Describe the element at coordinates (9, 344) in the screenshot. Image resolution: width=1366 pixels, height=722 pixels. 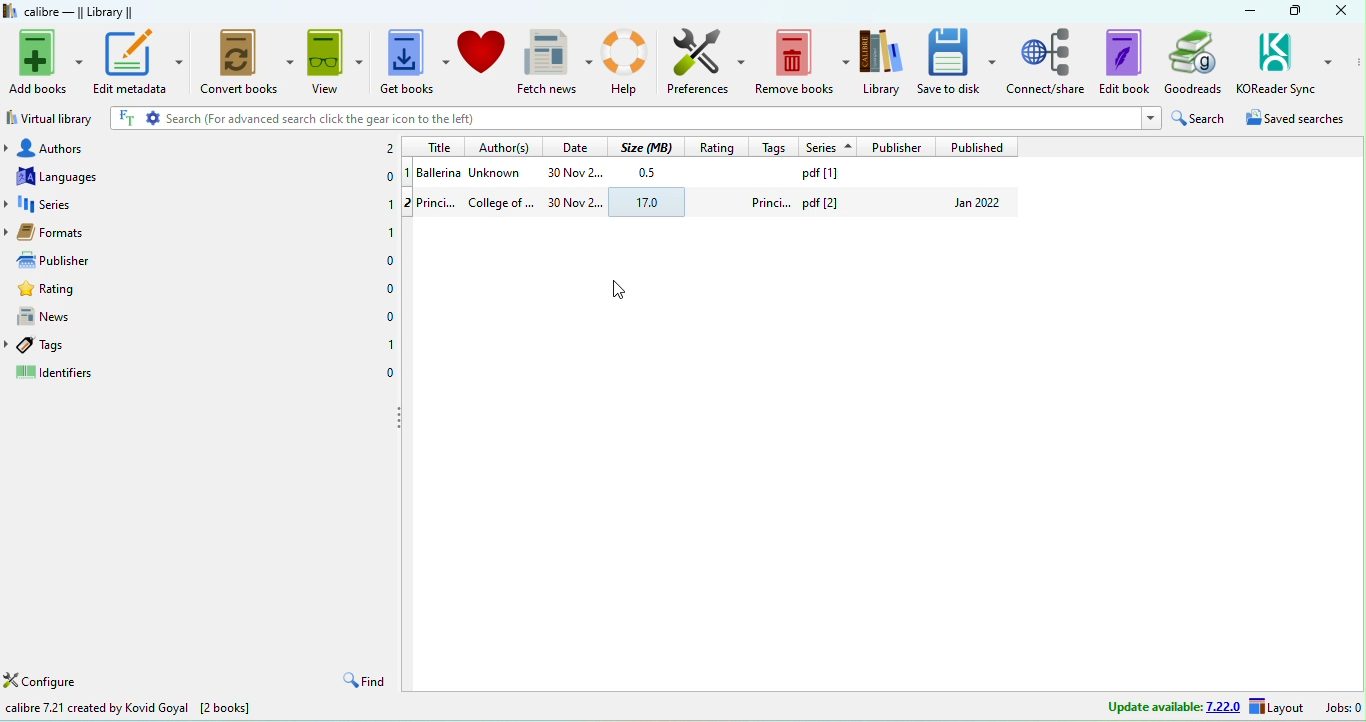
I see `drop down` at that location.